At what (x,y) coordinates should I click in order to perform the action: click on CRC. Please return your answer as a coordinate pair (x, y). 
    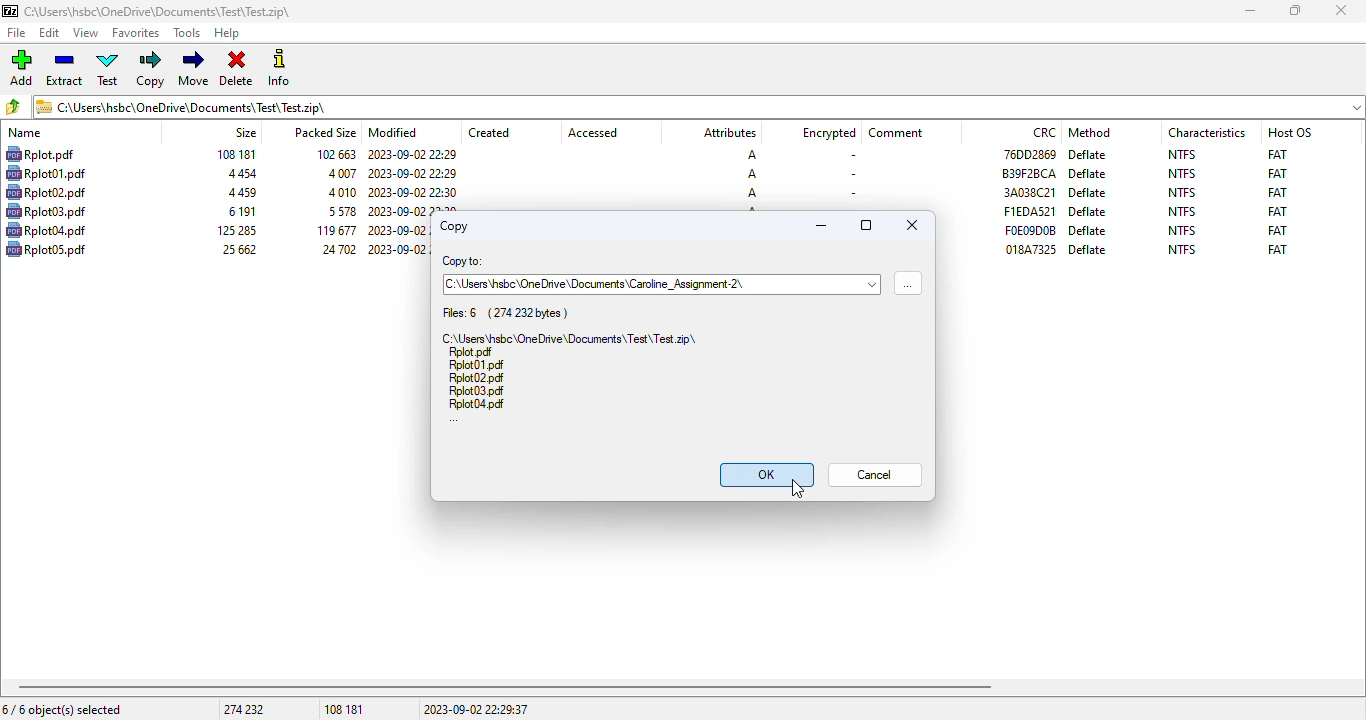
    Looking at the image, I should click on (1029, 211).